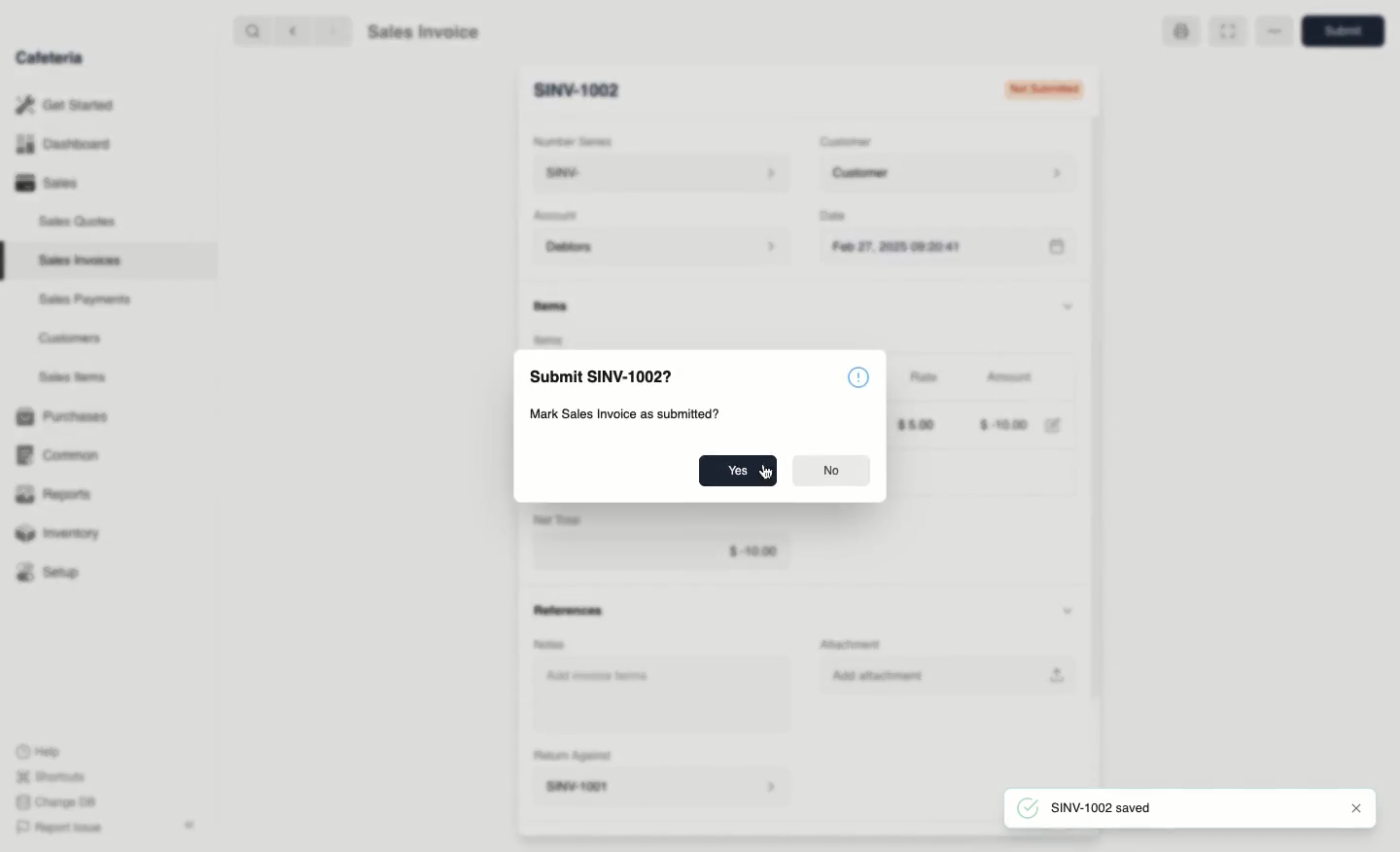 The width and height of the screenshot is (1400, 852). I want to click on Sales Items, so click(72, 377).